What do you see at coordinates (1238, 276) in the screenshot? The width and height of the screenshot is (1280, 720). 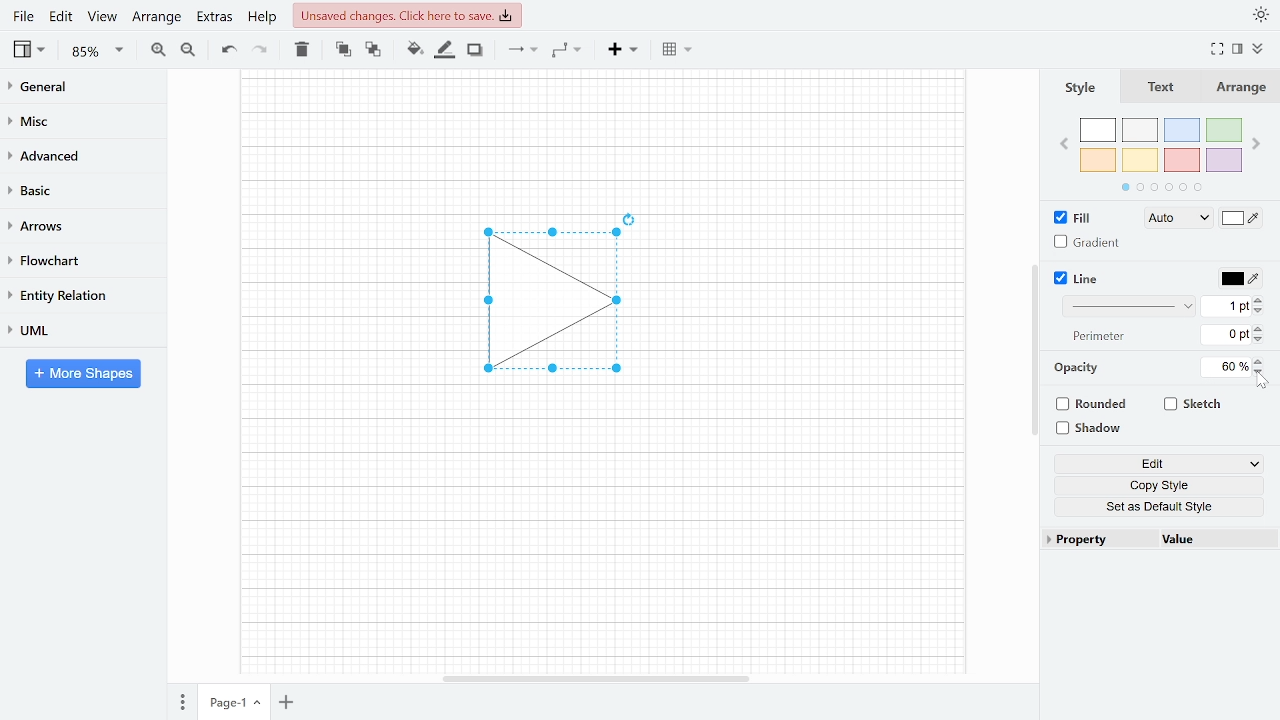 I see `Line color` at bounding box center [1238, 276].